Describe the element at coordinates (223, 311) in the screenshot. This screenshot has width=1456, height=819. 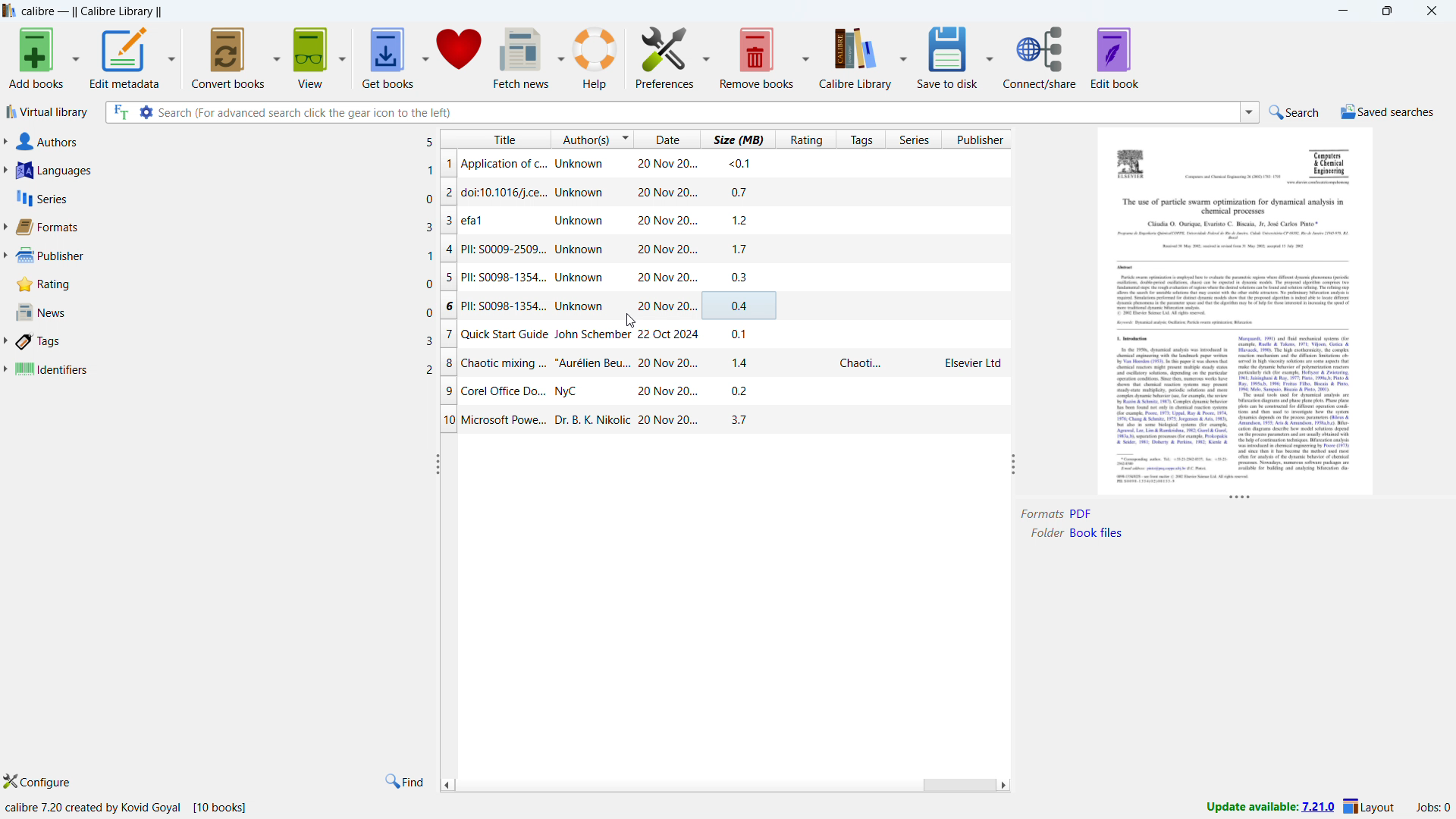
I see `news` at that location.